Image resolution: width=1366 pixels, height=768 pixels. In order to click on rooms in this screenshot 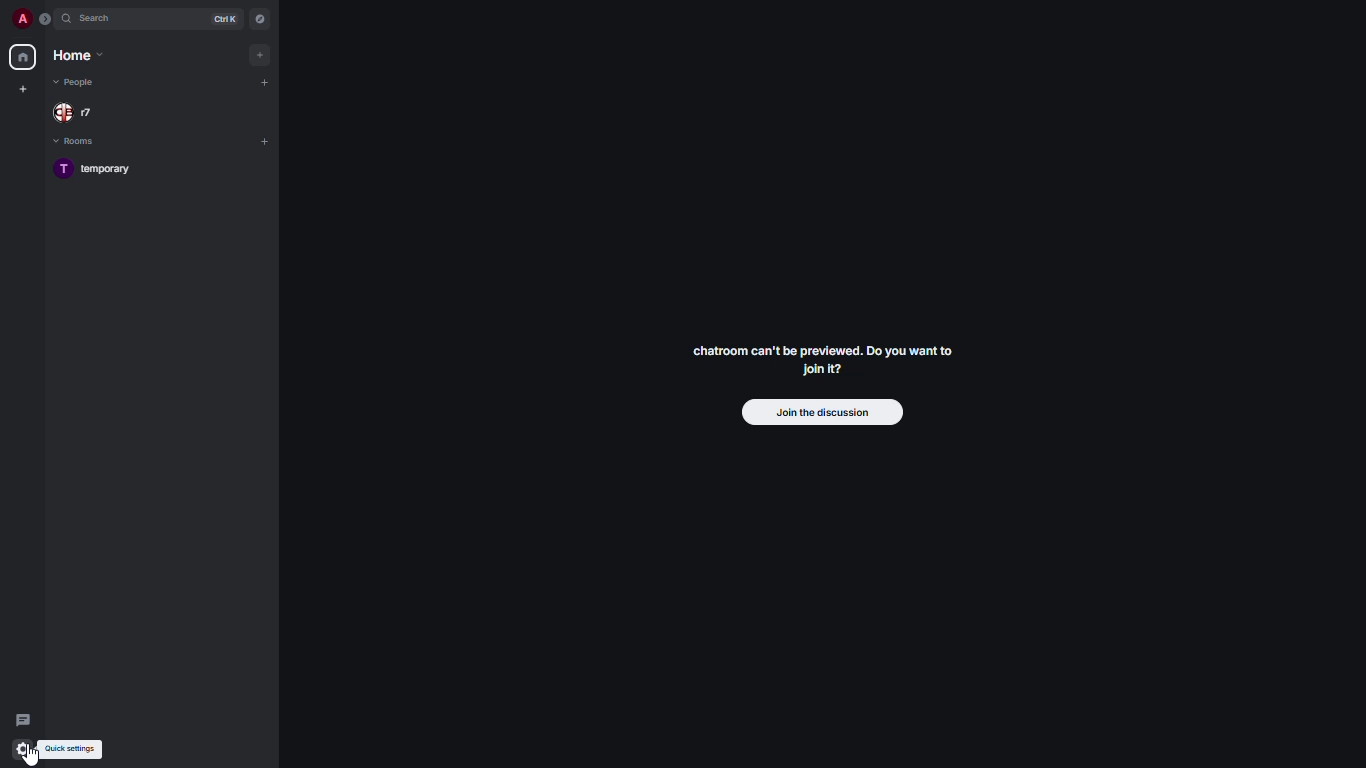, I will do `click(78, 143)`.